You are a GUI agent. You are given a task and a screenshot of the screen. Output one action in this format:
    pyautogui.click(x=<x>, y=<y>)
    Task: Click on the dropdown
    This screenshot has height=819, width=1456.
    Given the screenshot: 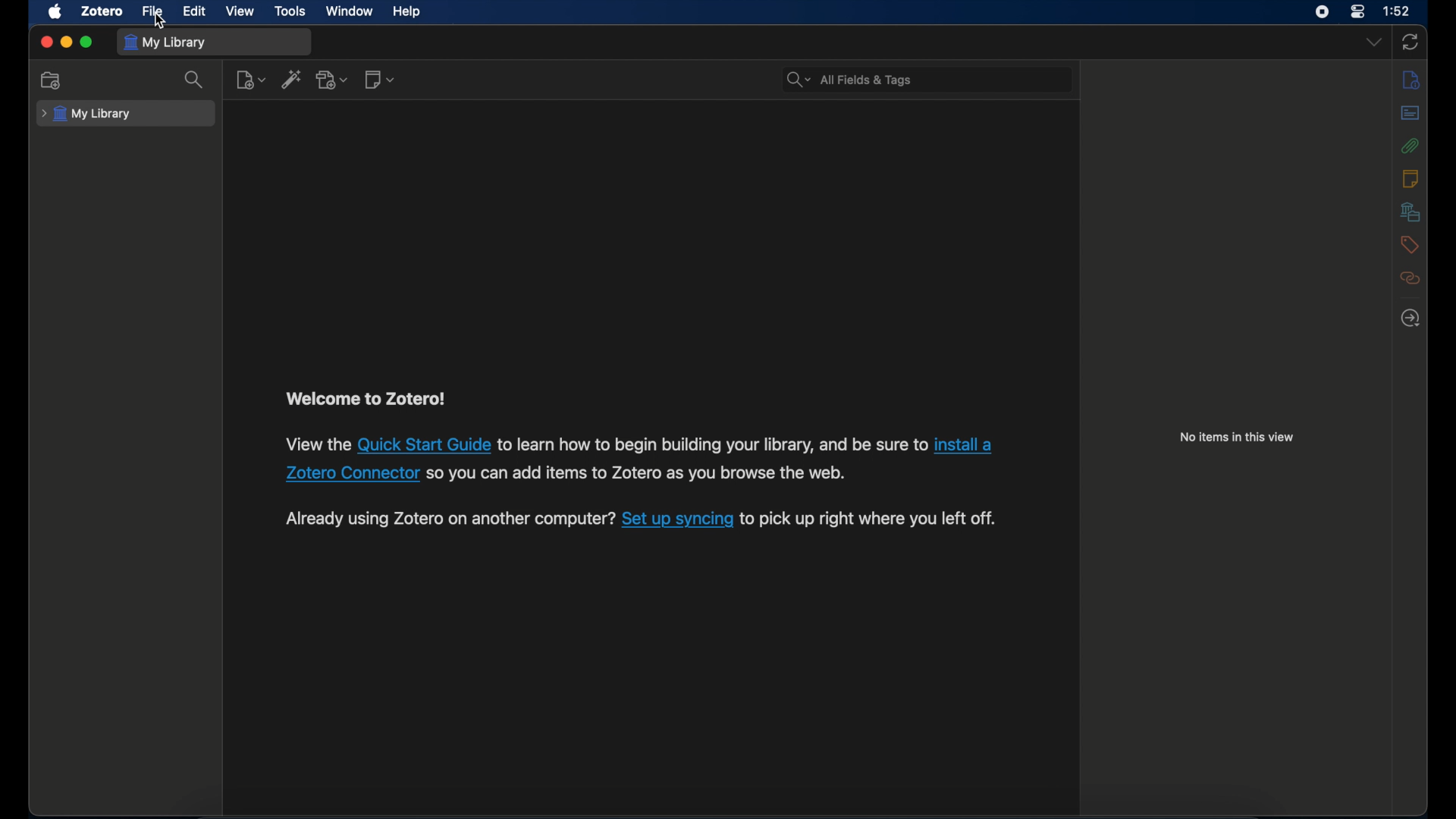 What is the action you would take?
    pyautogui.click(x=1374, y=43)
    